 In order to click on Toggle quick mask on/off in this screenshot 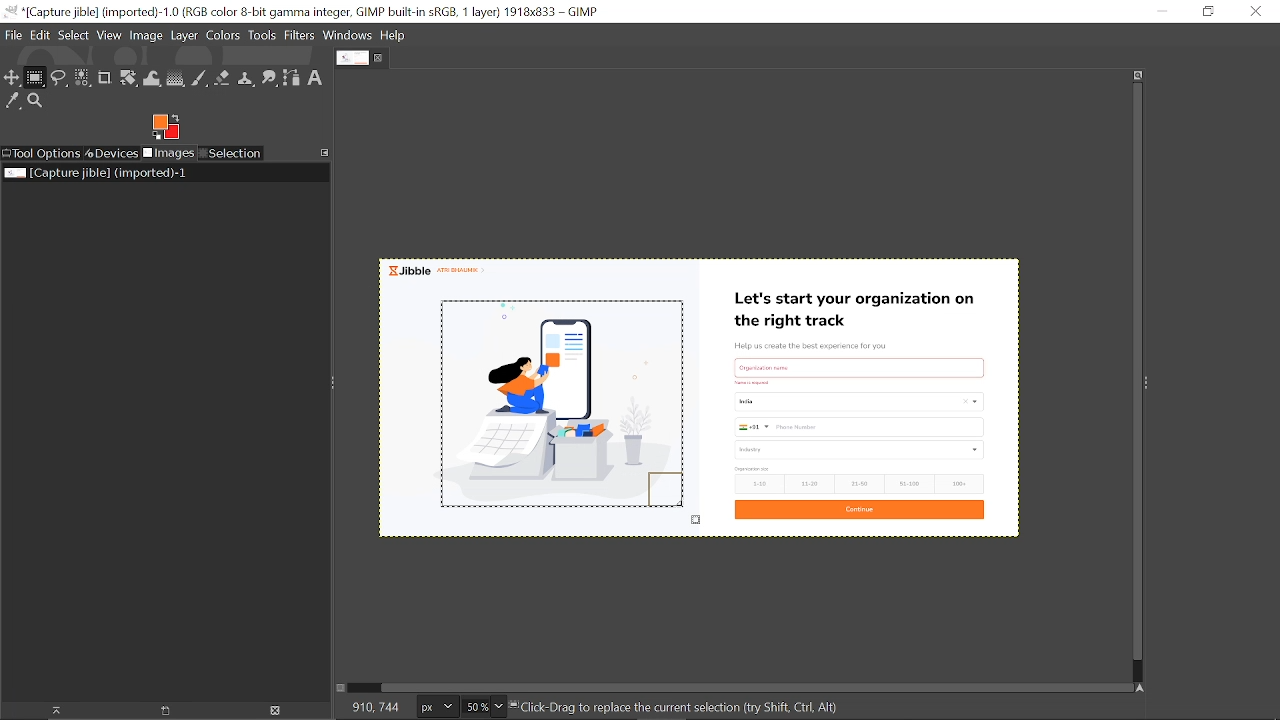, I will do `click(344, 689)`.